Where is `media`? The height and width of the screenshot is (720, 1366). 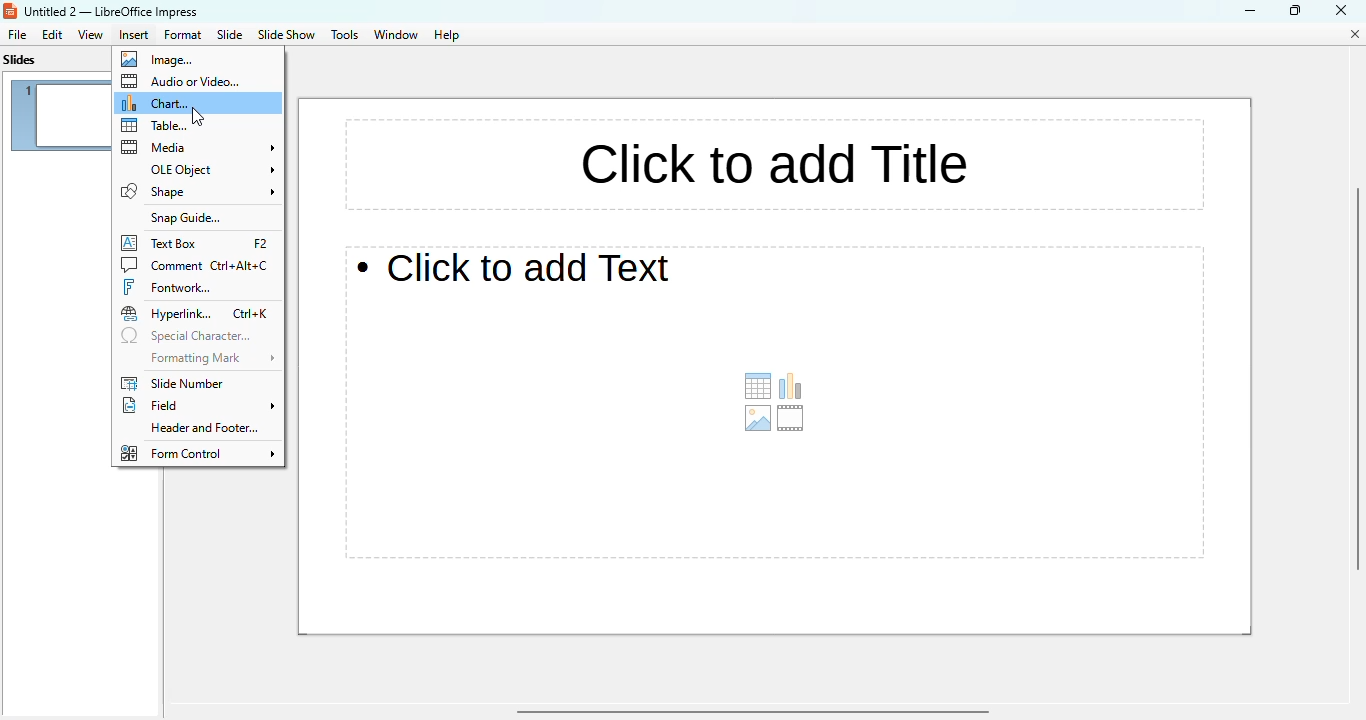 media is located at coordinates (199, 147).